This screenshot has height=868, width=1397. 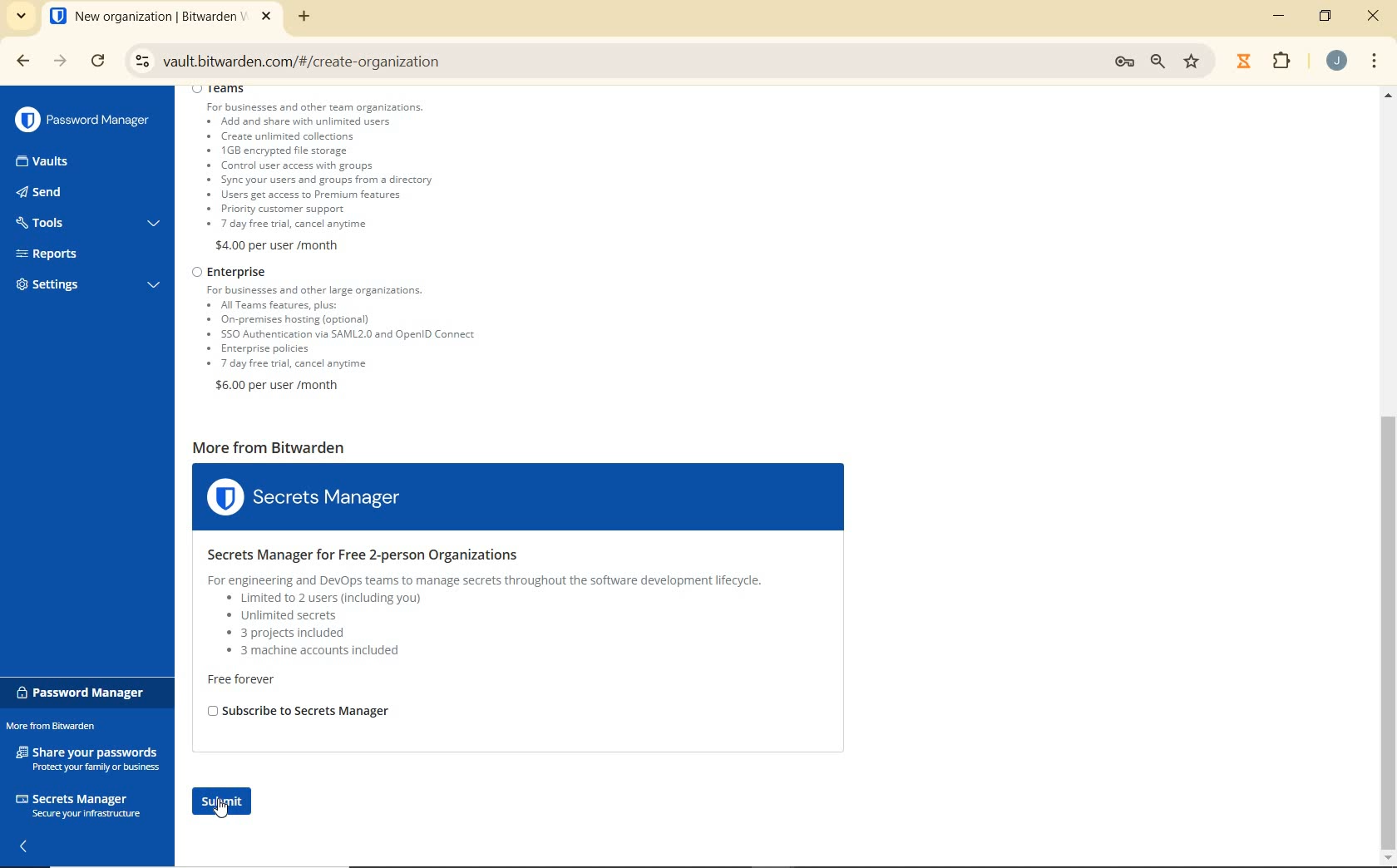 I want to click on send, so click(x=67, y=194).